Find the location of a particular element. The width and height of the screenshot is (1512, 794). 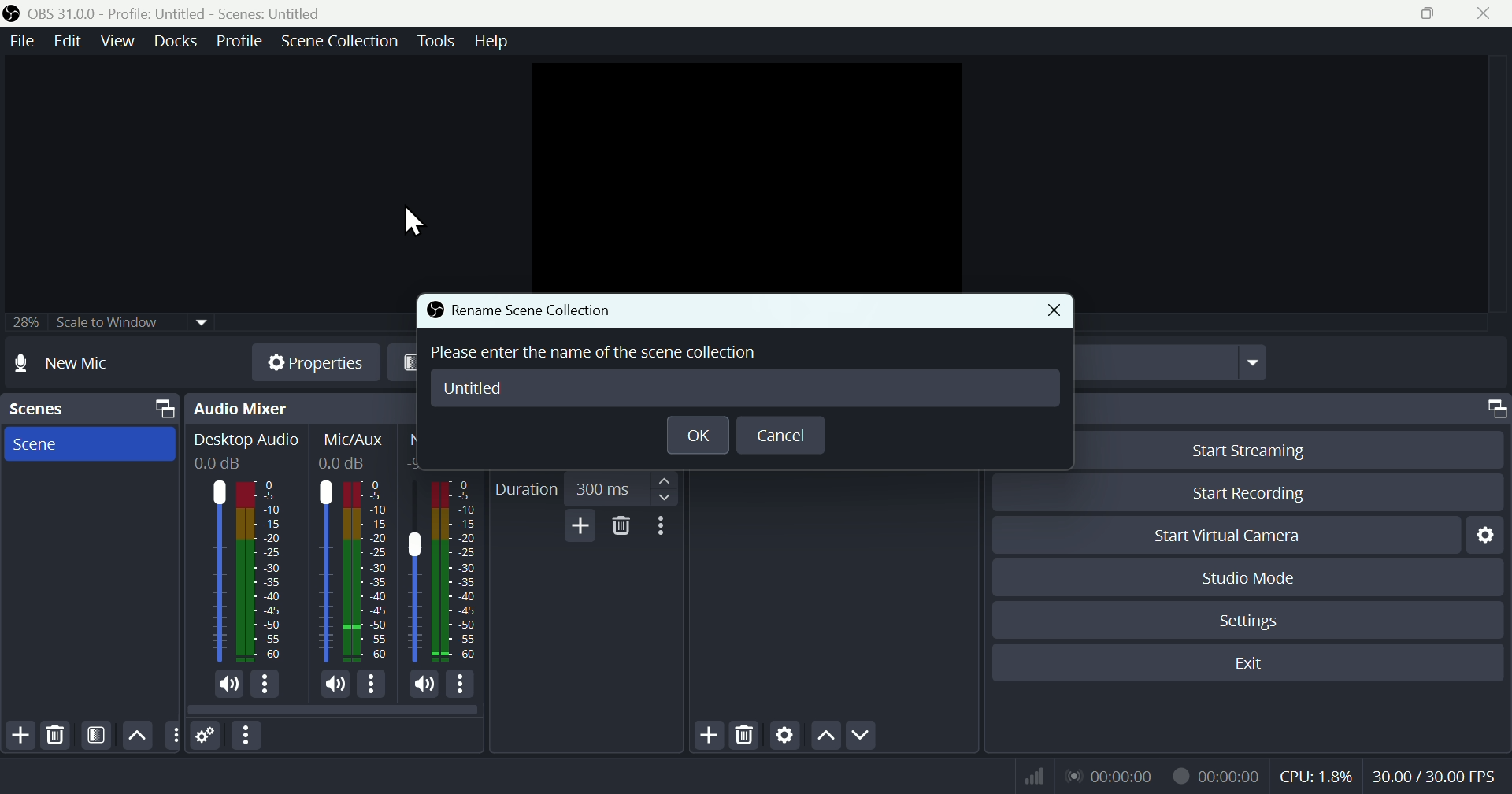

0.0dB is located at coordinates (224, 463).